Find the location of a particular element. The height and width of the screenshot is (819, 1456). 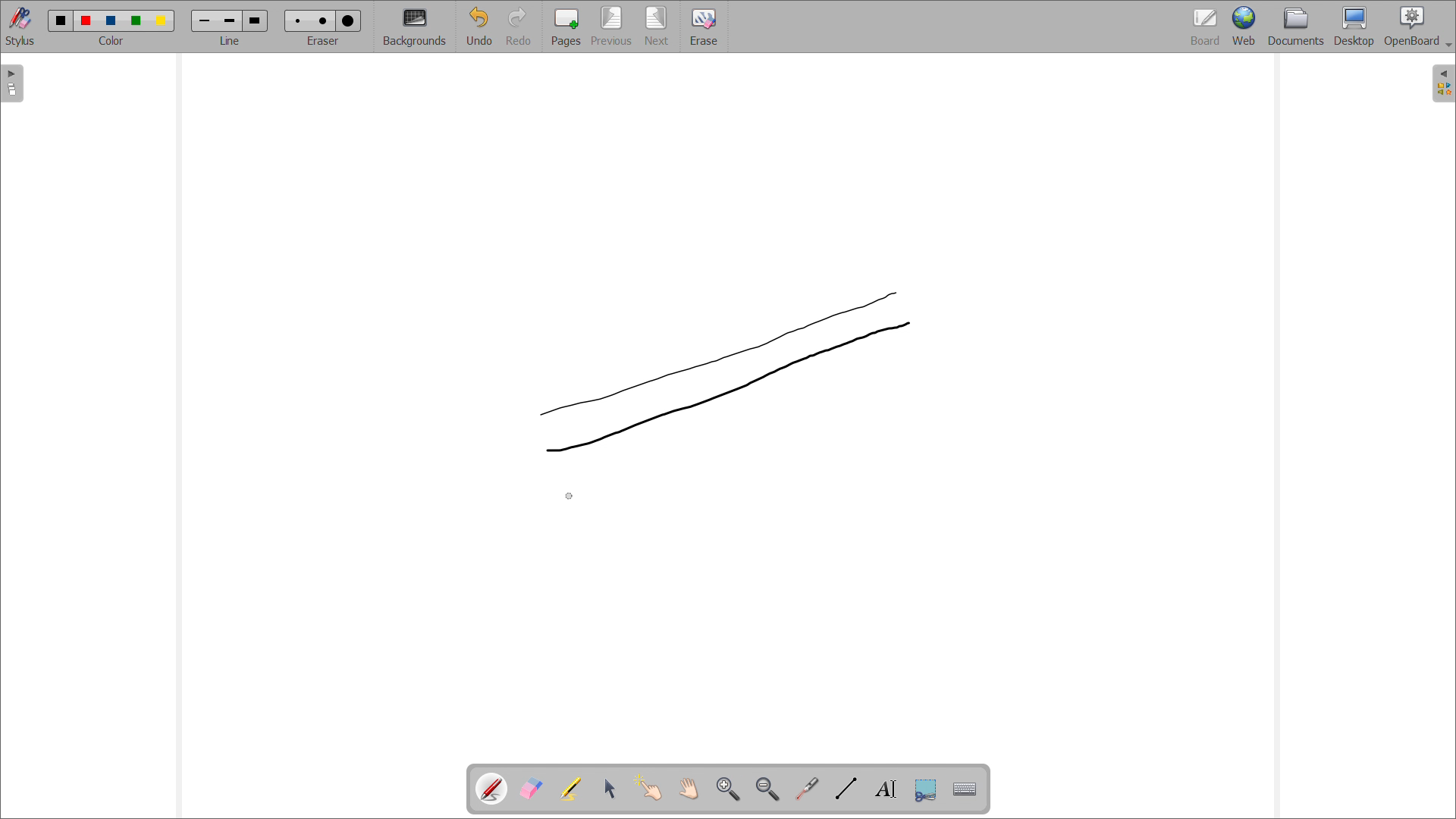

line width size is located at coordinates (255, 20).